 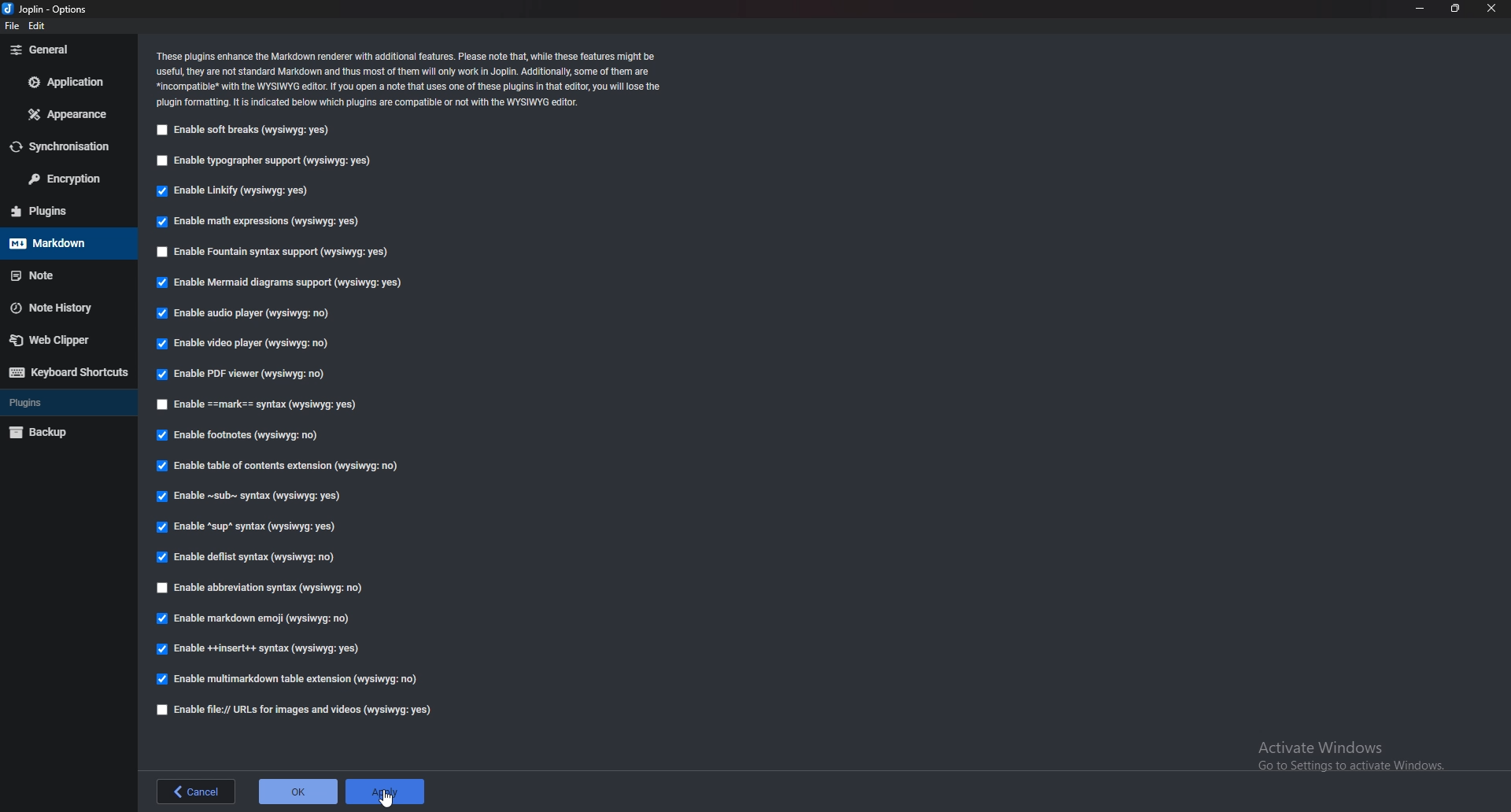 What do you see at coordinates (238, 437) in the screenshot?
I see `Enable footnotes` at bounding box center [238, 437].